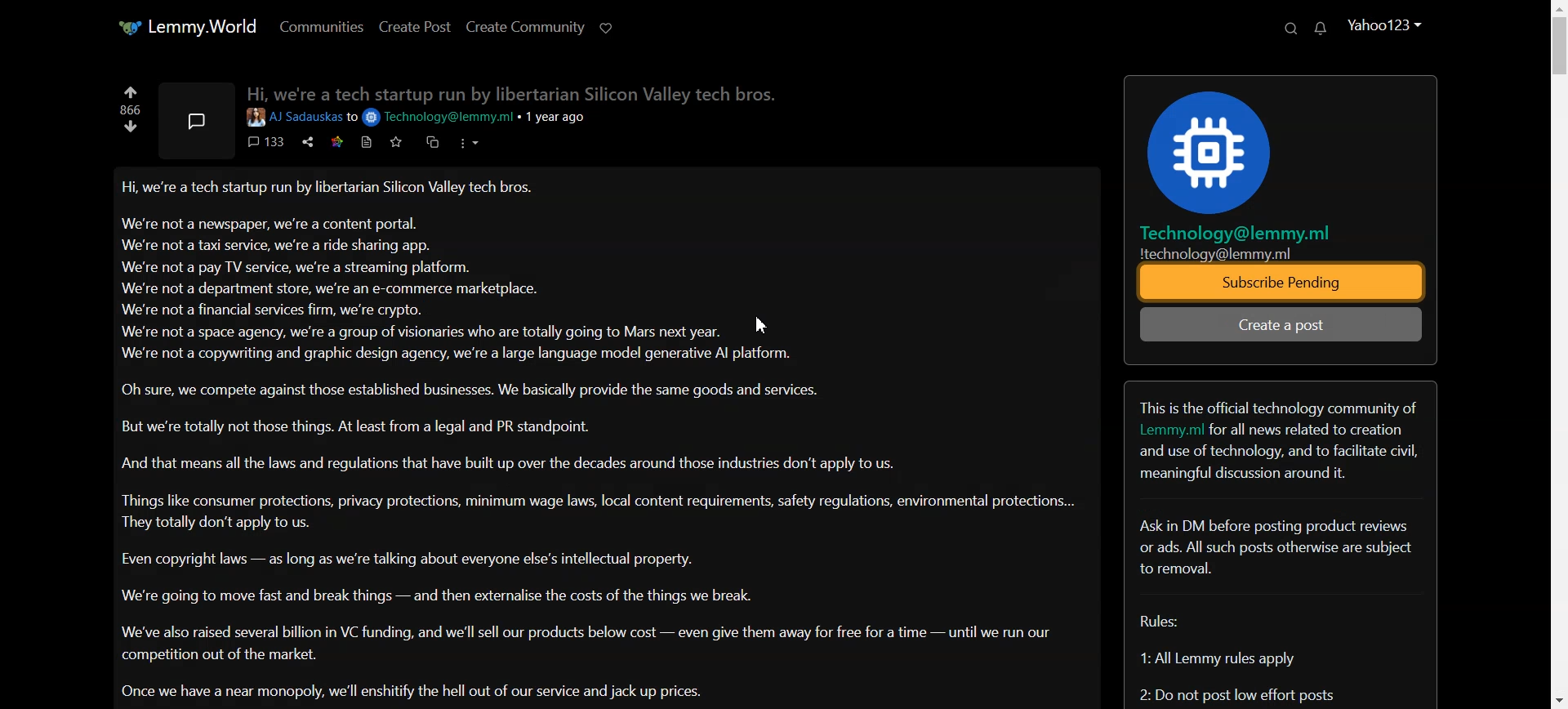  I want to click on Unread Message, so click(1323, 29).